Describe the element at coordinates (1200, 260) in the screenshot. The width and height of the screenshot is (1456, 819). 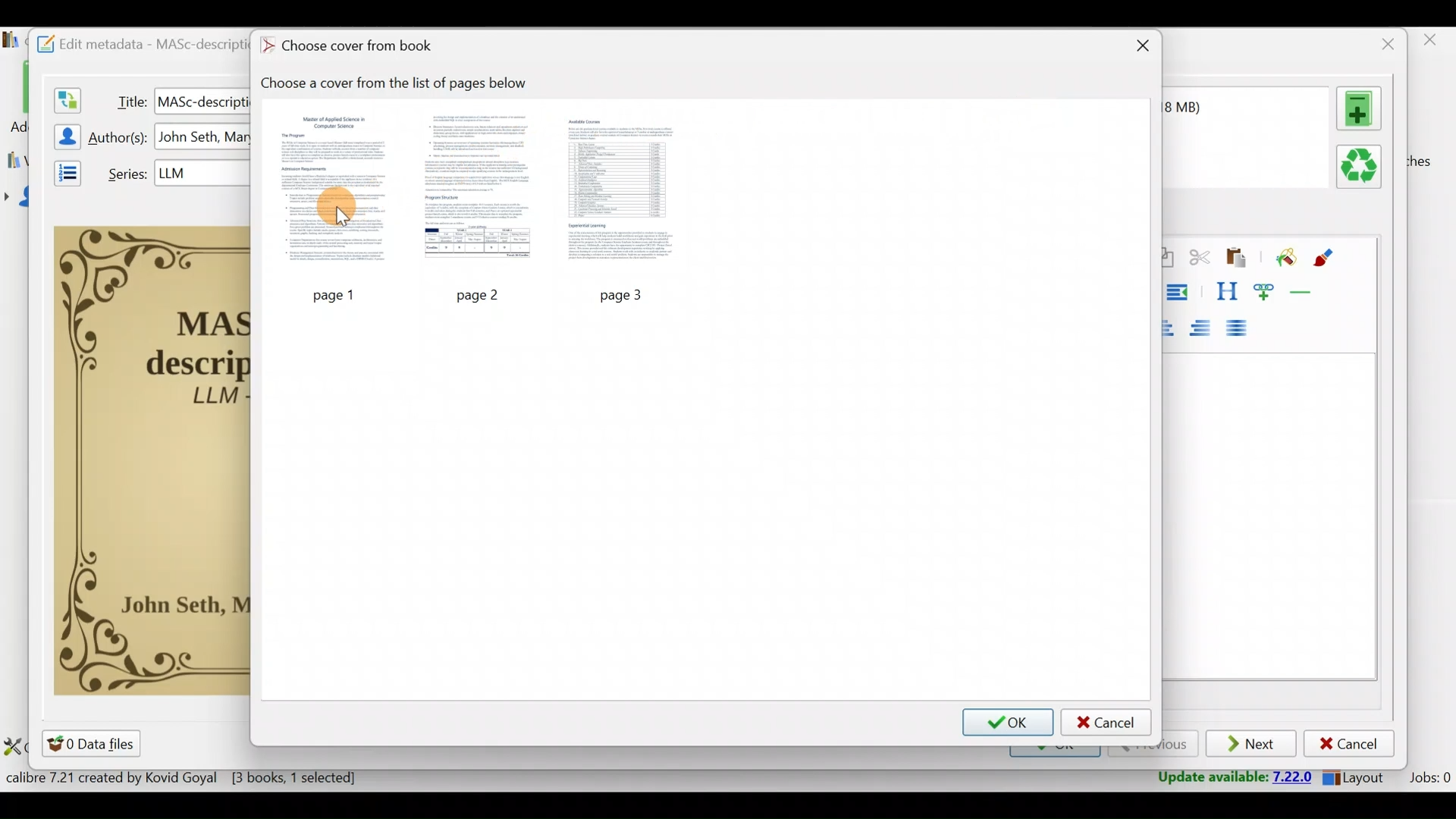
I see `Cut` at that location.